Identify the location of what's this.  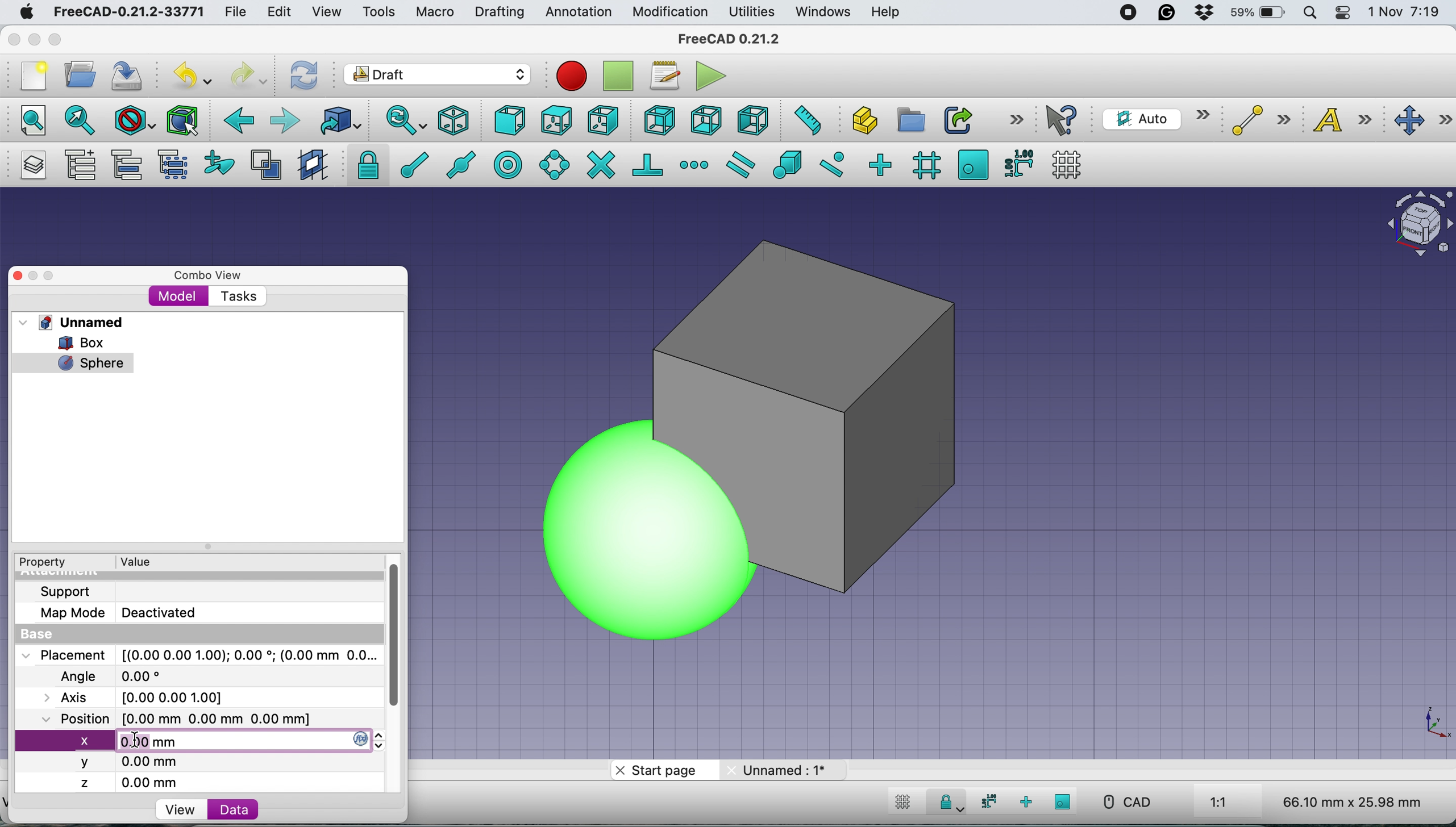
(1063, 120).